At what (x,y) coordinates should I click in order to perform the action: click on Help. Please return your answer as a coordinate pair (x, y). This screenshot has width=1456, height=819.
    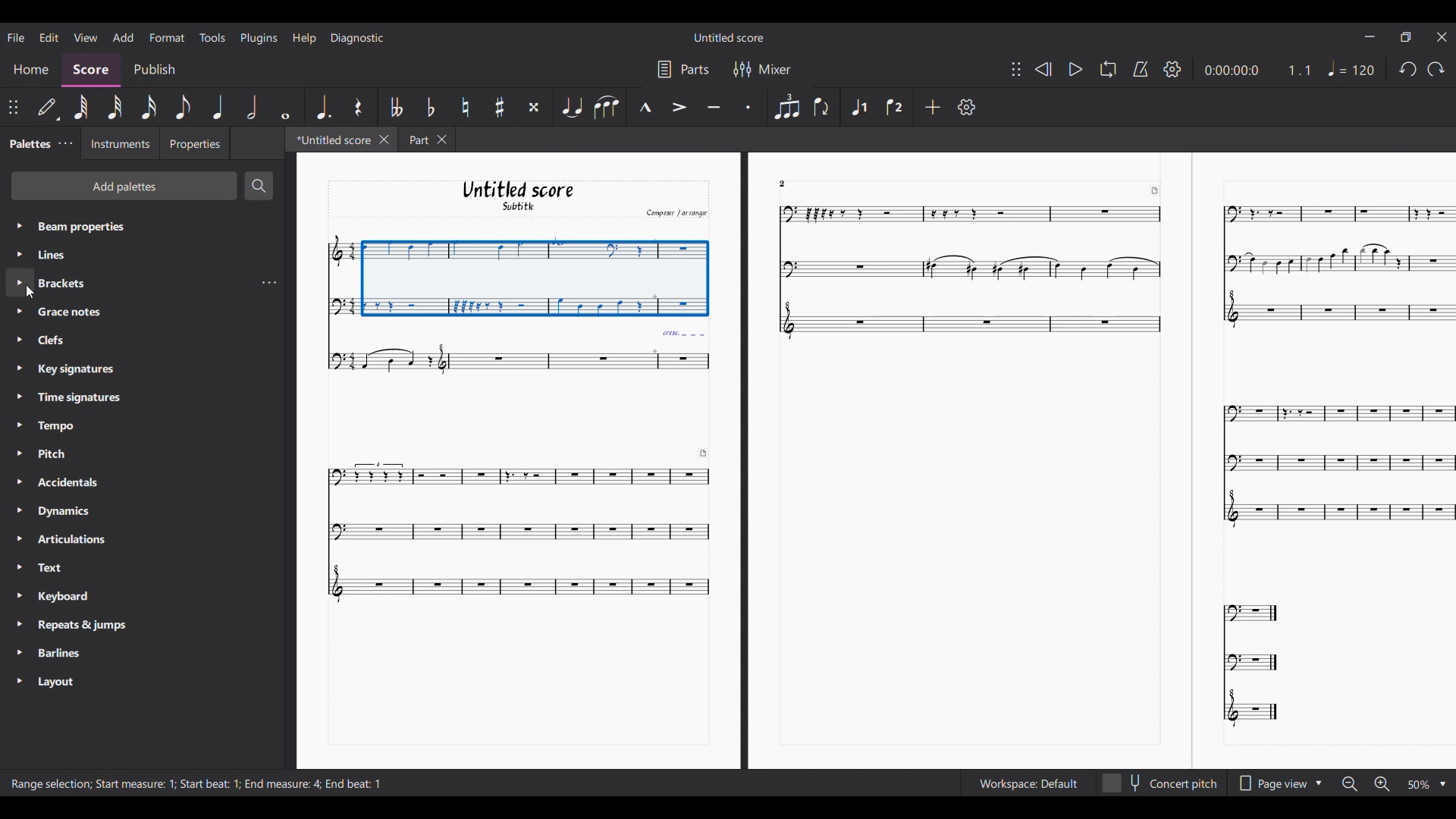
    Looking at the image, I should click on (303, 39).